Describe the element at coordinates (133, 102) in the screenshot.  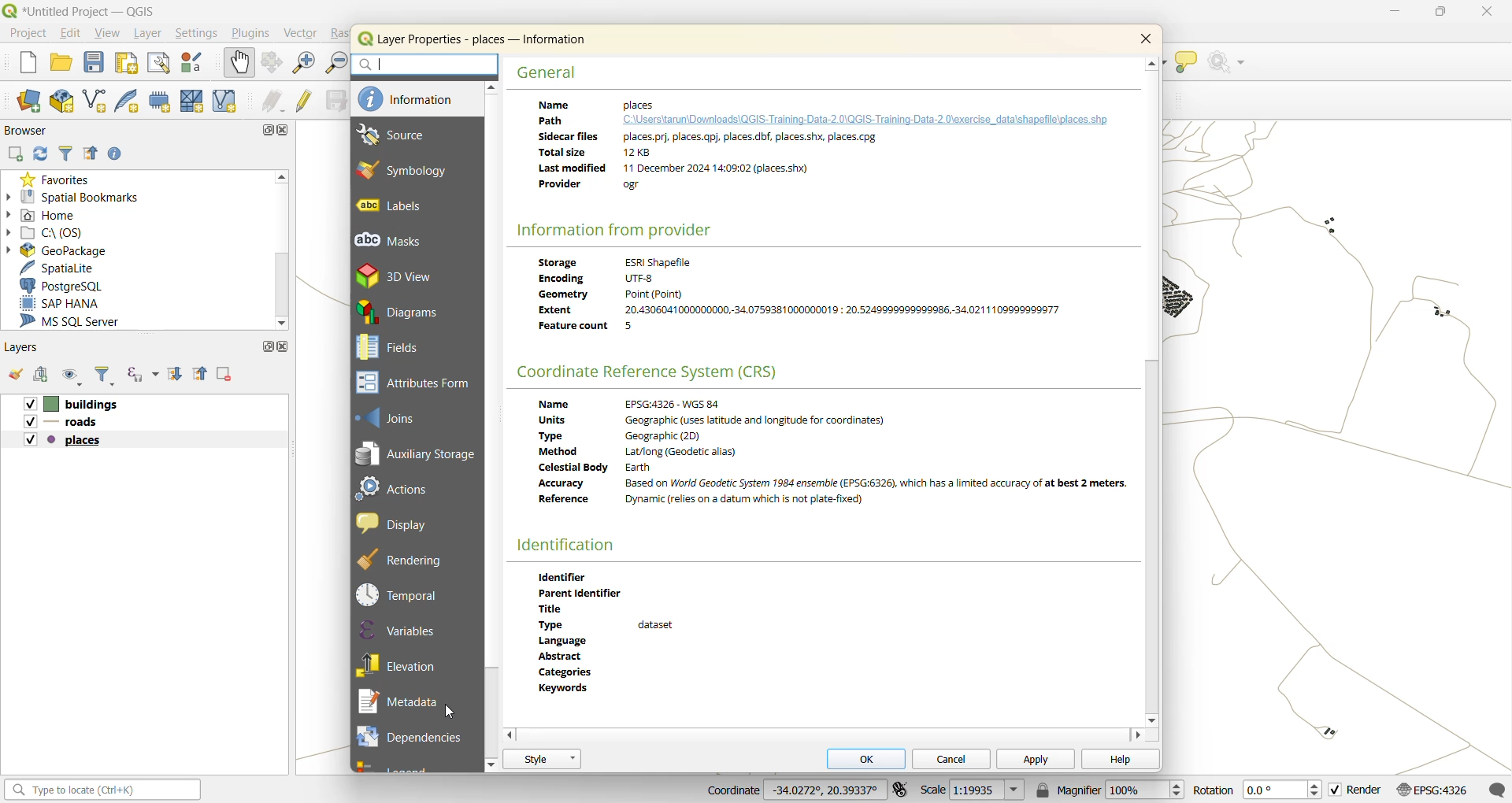
I see `new spatialite` at that location.